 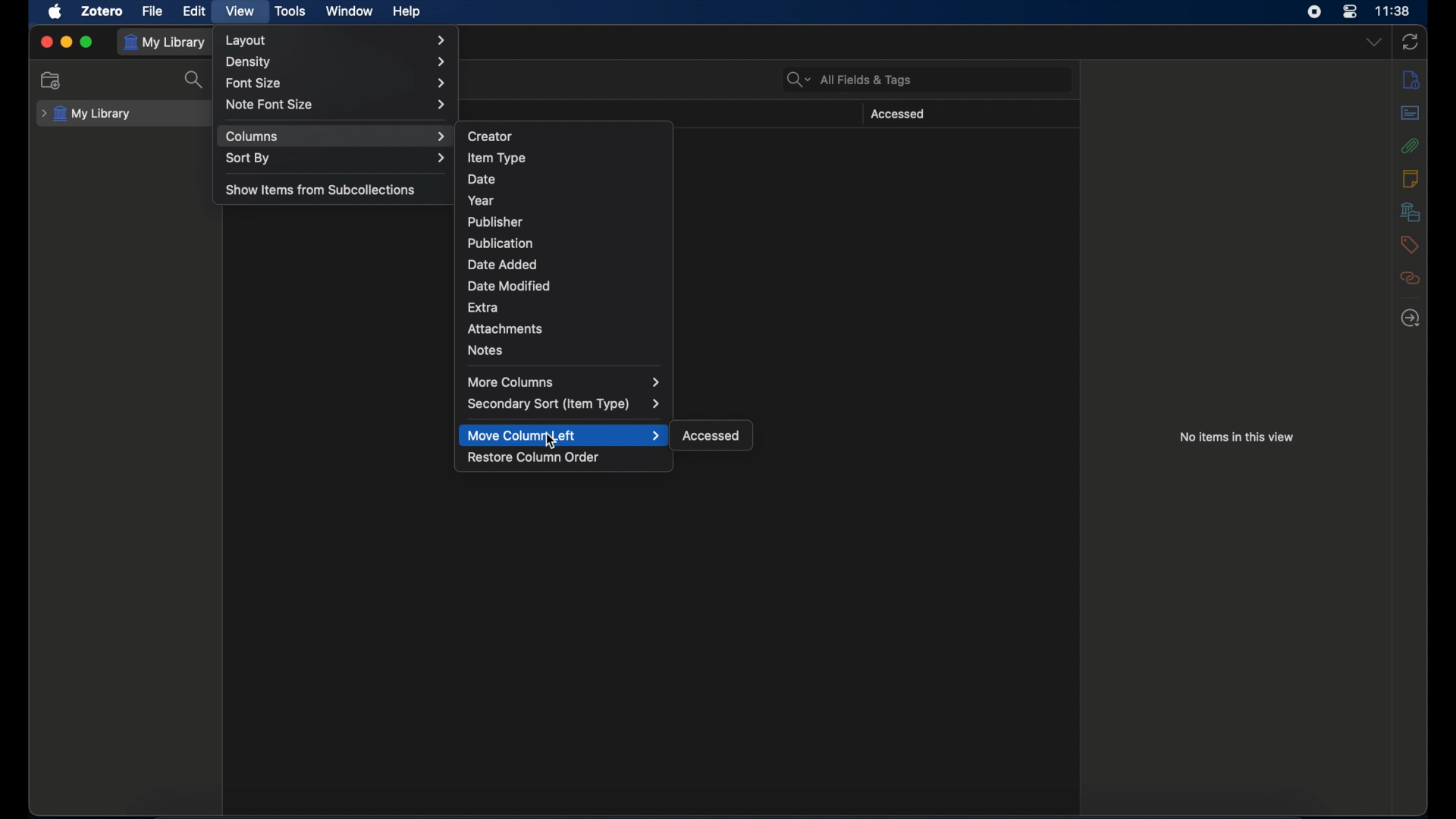 I want to click on accessed, so click(x=897, y=115).